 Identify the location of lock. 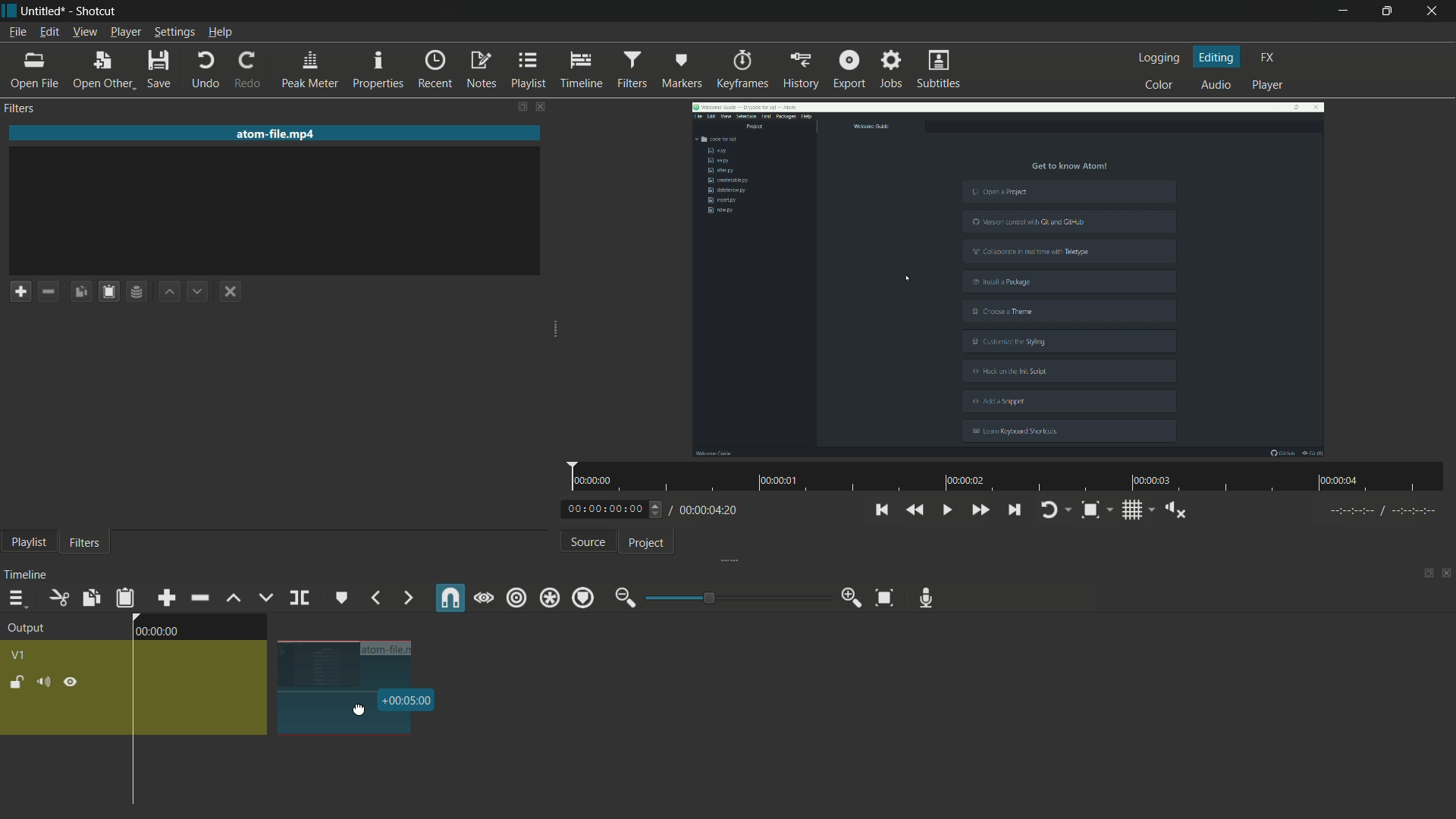
(15, 682).